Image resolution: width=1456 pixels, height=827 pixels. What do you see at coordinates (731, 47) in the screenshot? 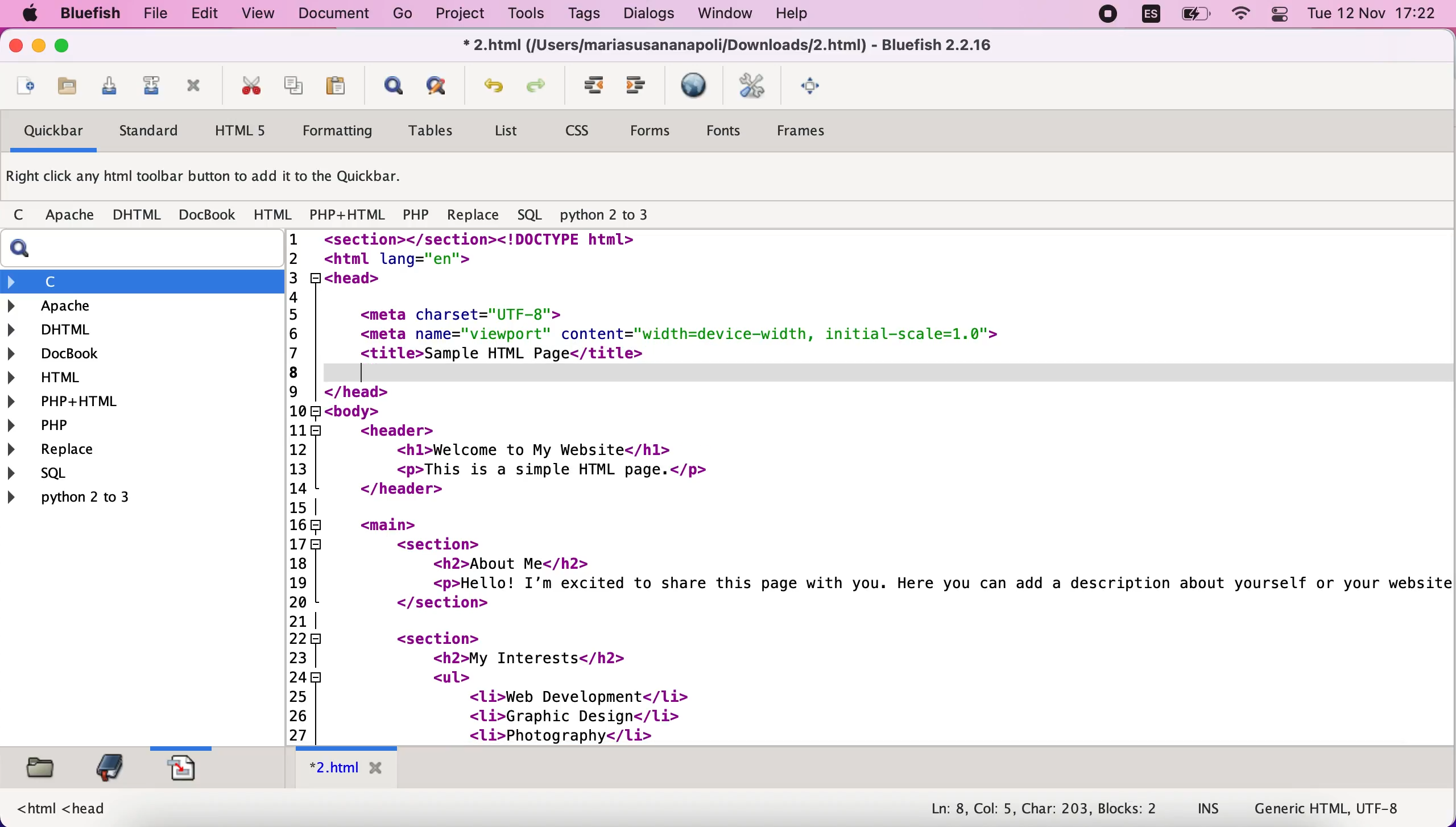
I see `* 2.html (/Users/mariasusananapoli/Downloads/2.html) - Bluefish 2.2.16` at bounding box center [731, 47].